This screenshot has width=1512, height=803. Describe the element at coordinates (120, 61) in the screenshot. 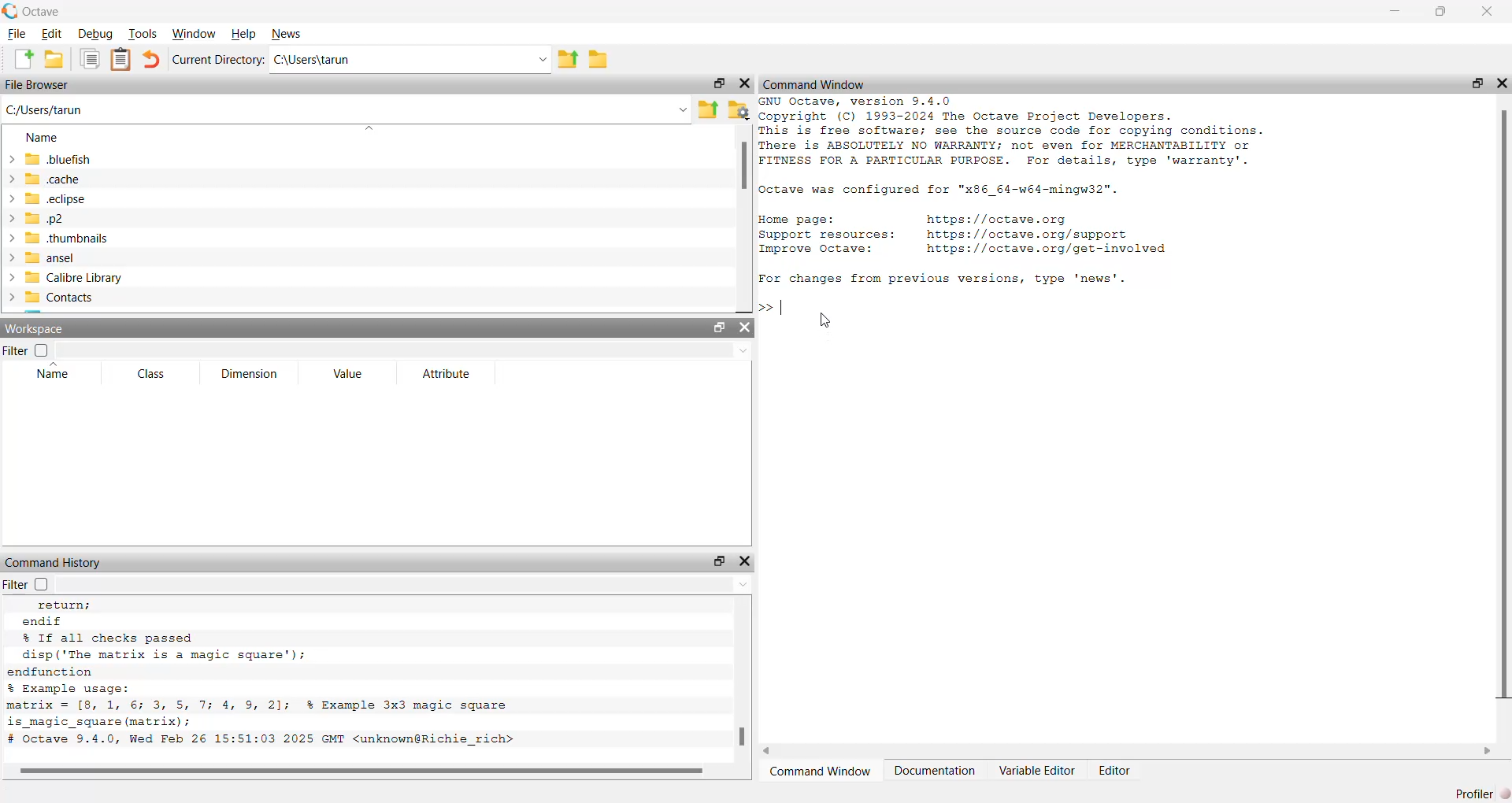

I see `Clipboard` at that location.